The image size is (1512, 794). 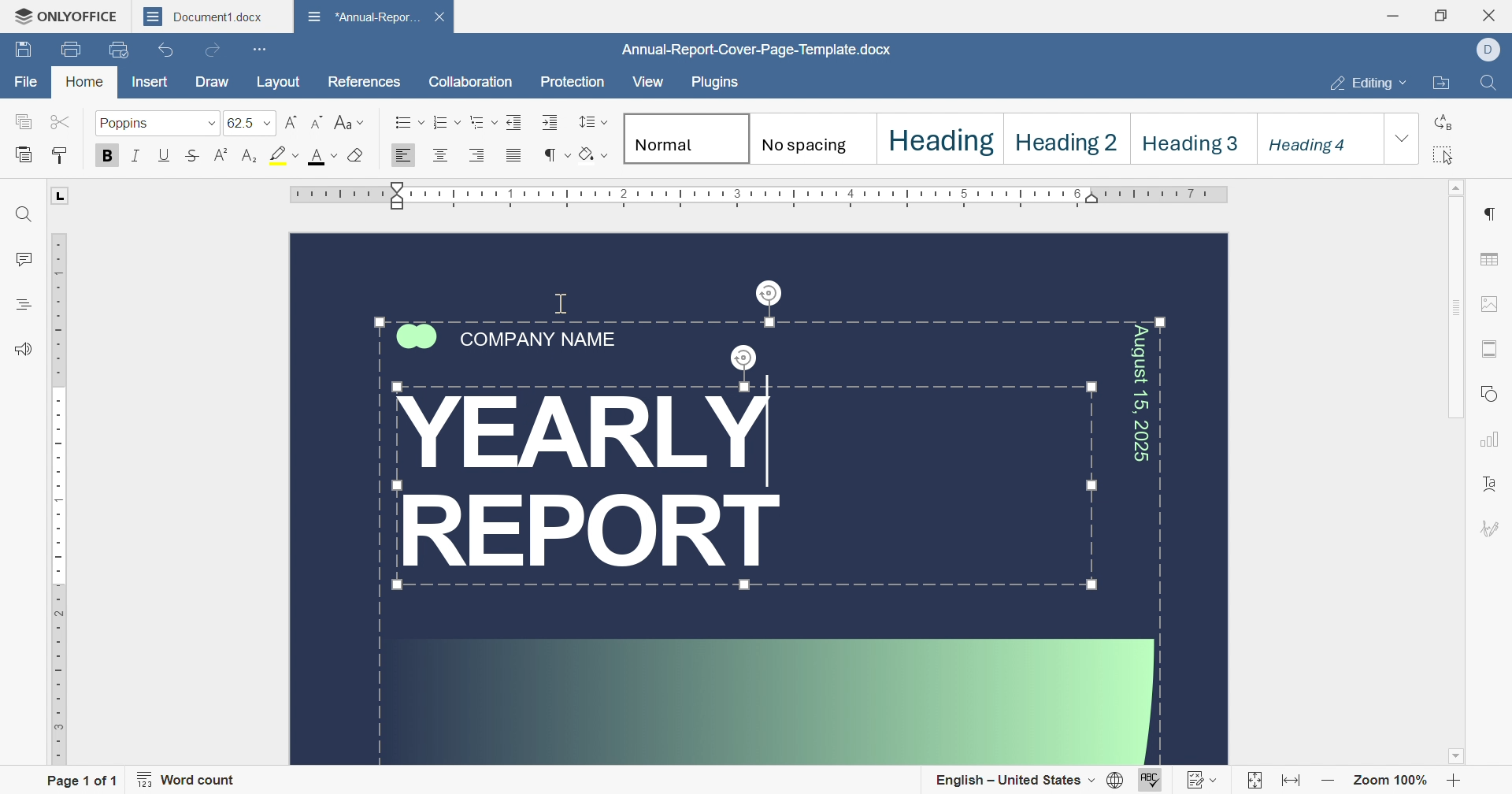 I want to click on decrease indent, so click(x=513, y=121).